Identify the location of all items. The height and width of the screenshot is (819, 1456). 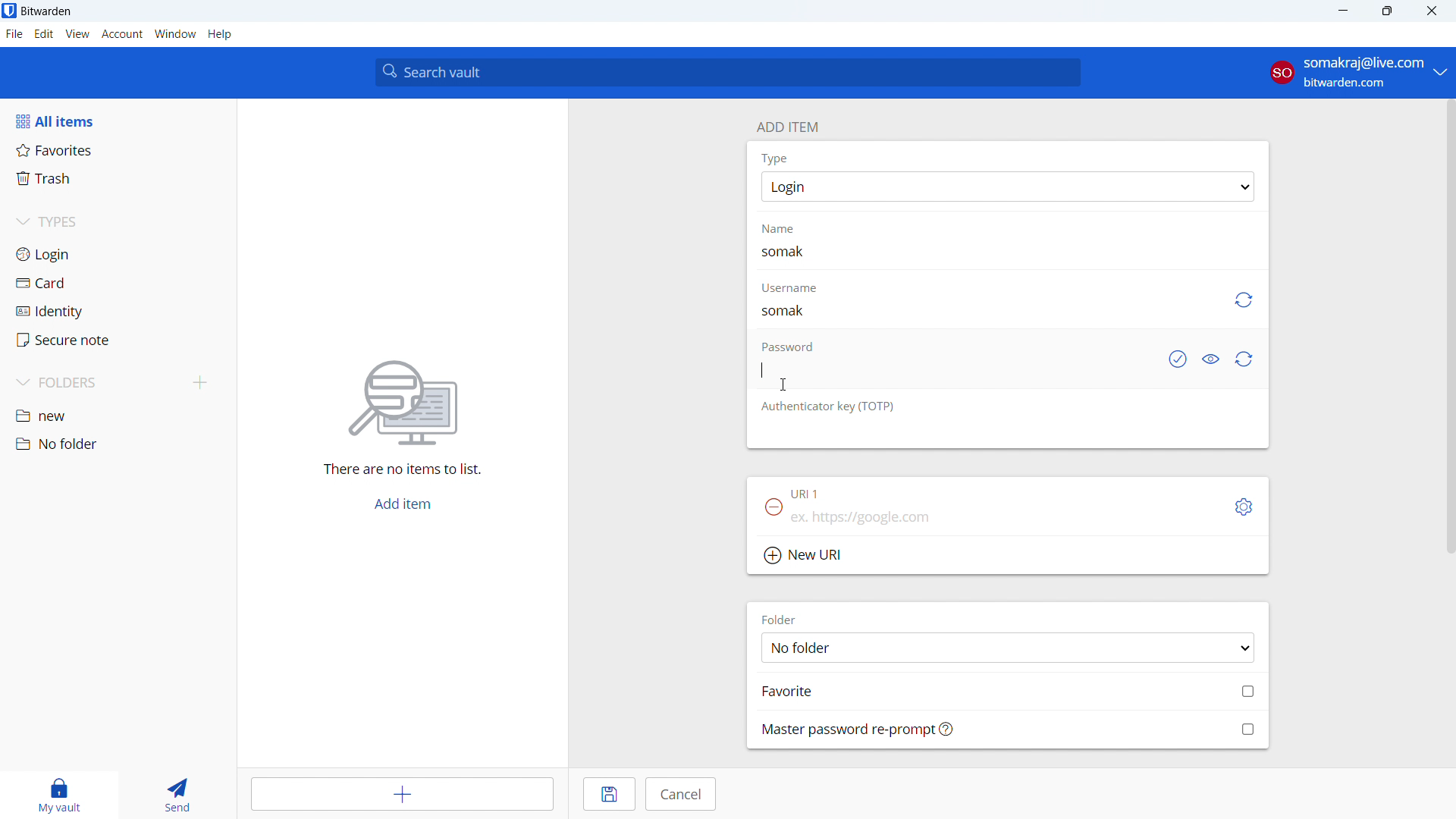
(118, 121).